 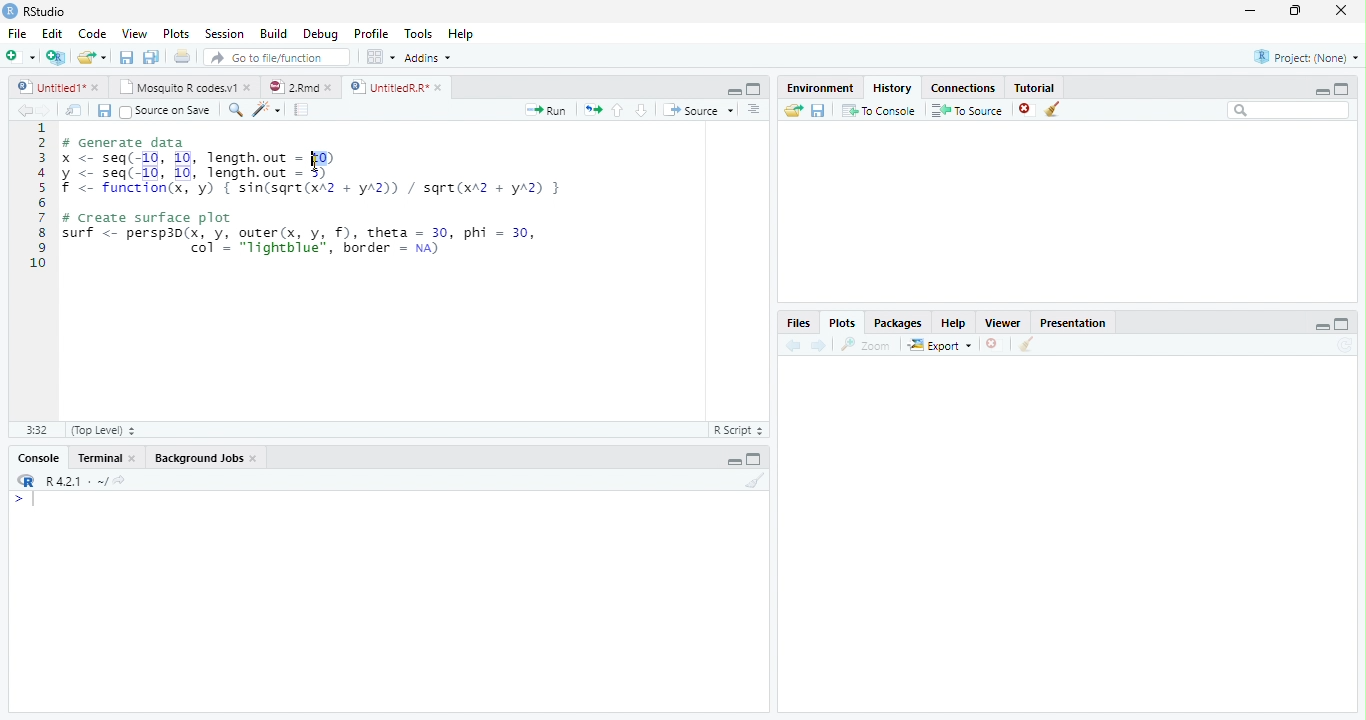 I want to click on Close, so click(x=254, y=458).